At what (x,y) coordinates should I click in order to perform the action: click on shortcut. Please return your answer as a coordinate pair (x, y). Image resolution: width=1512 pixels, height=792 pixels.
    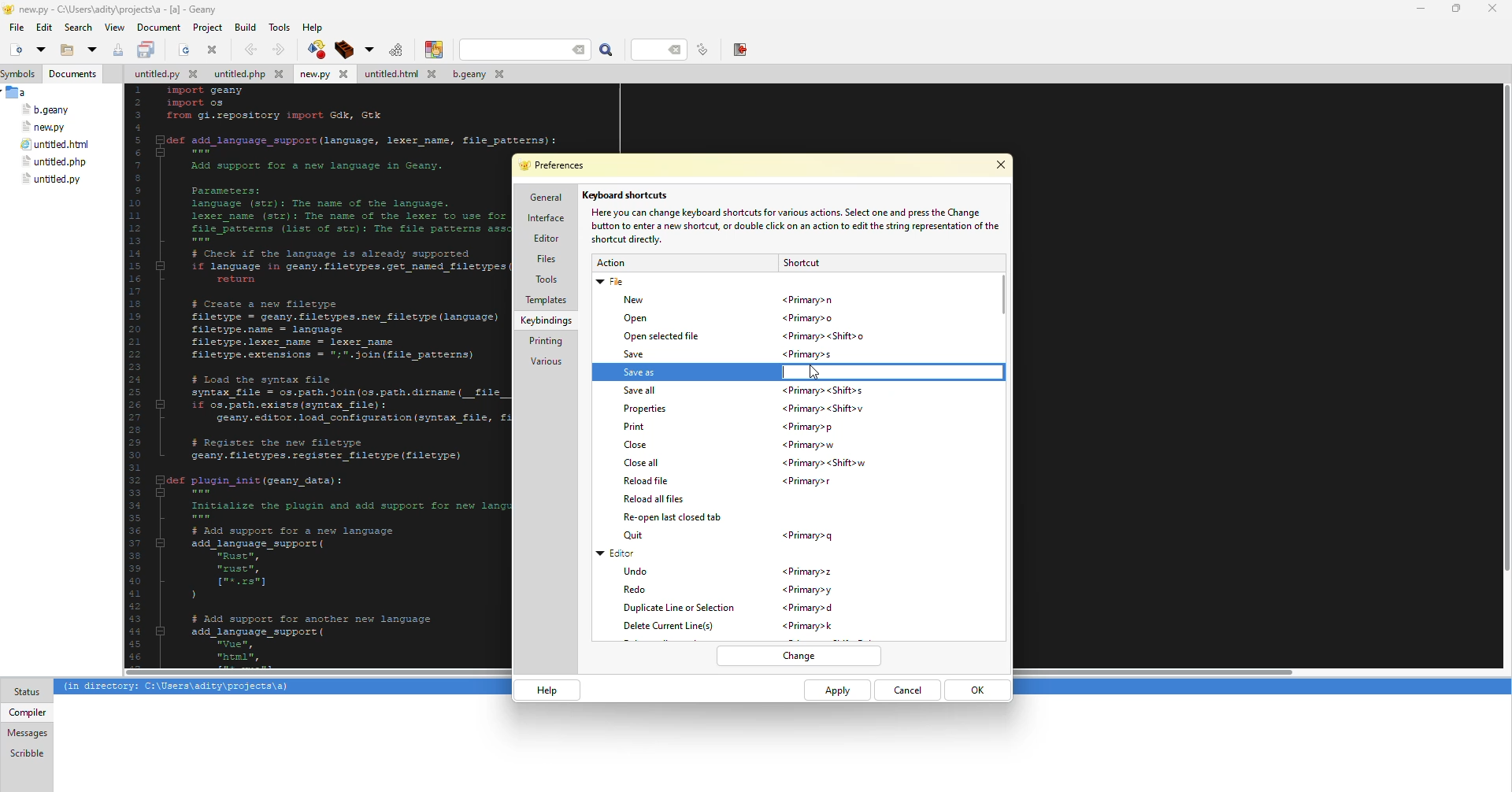
    Looking at the image, I should click on (808, 299).